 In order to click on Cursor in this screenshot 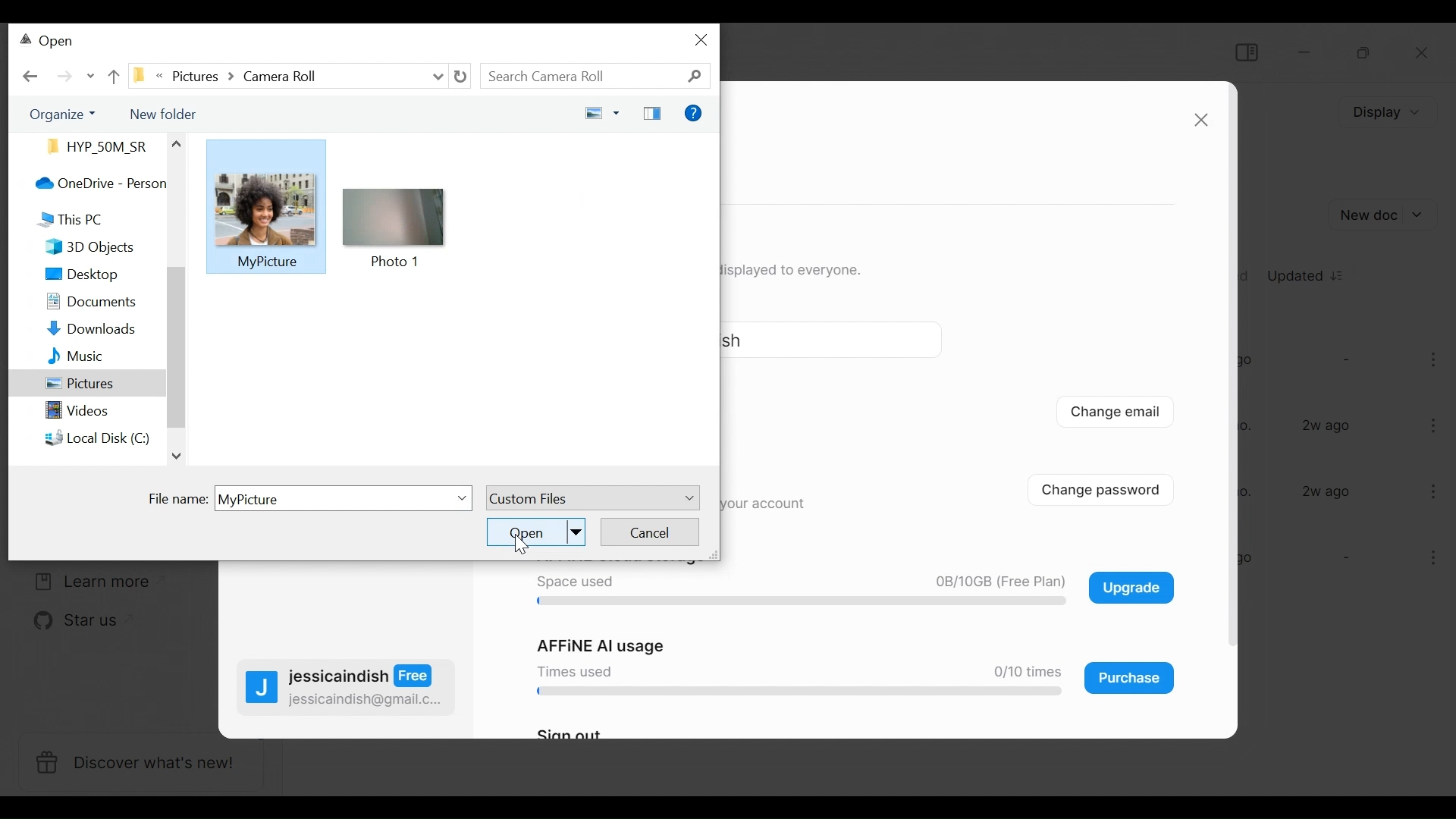, I will do `click(520, 544)`.